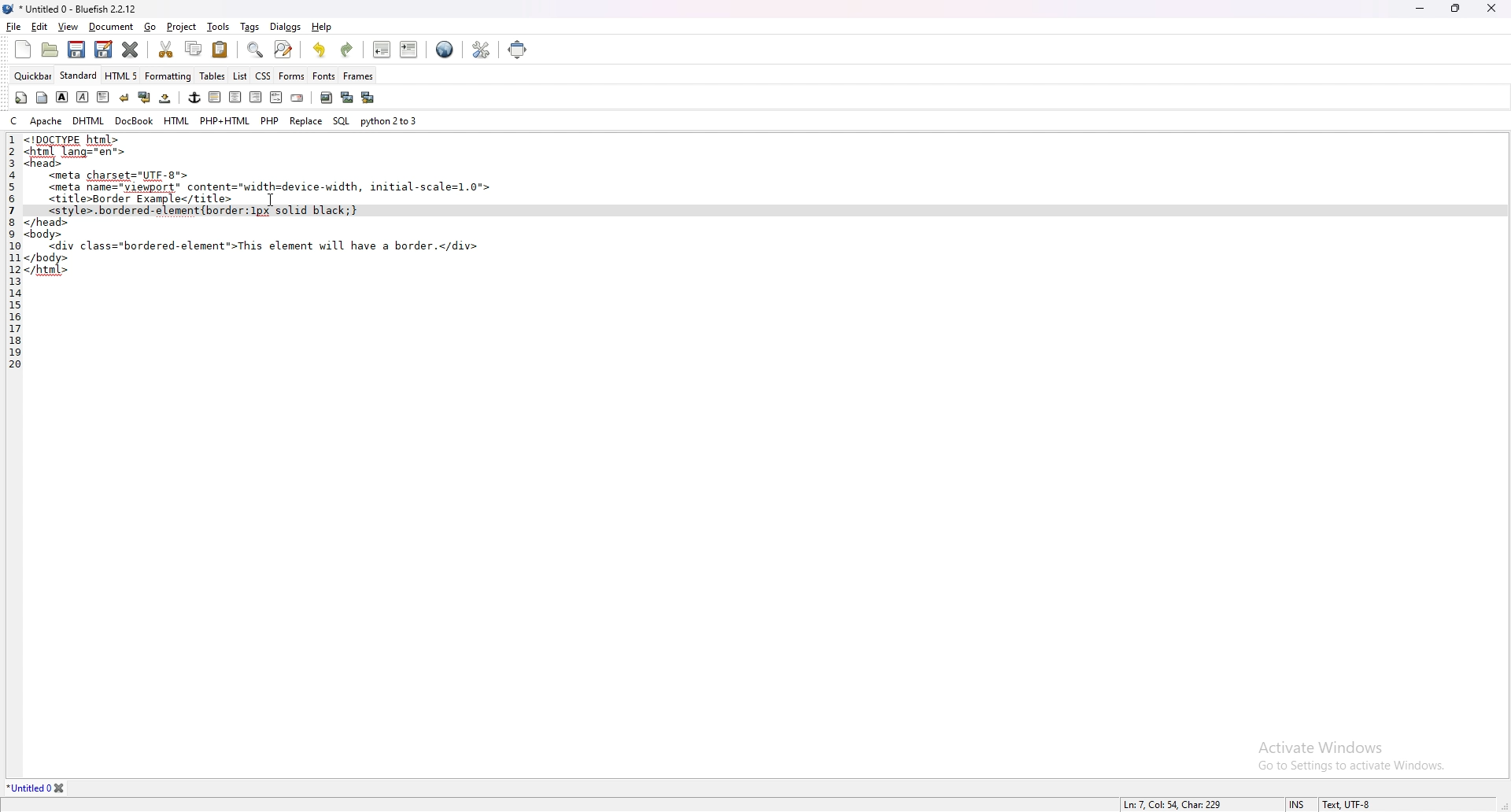 The image size is (1511, 812). What do you see at coordinates (275, 98) in the screenshot?
I see `html comment` at bounding box center [275, 98].